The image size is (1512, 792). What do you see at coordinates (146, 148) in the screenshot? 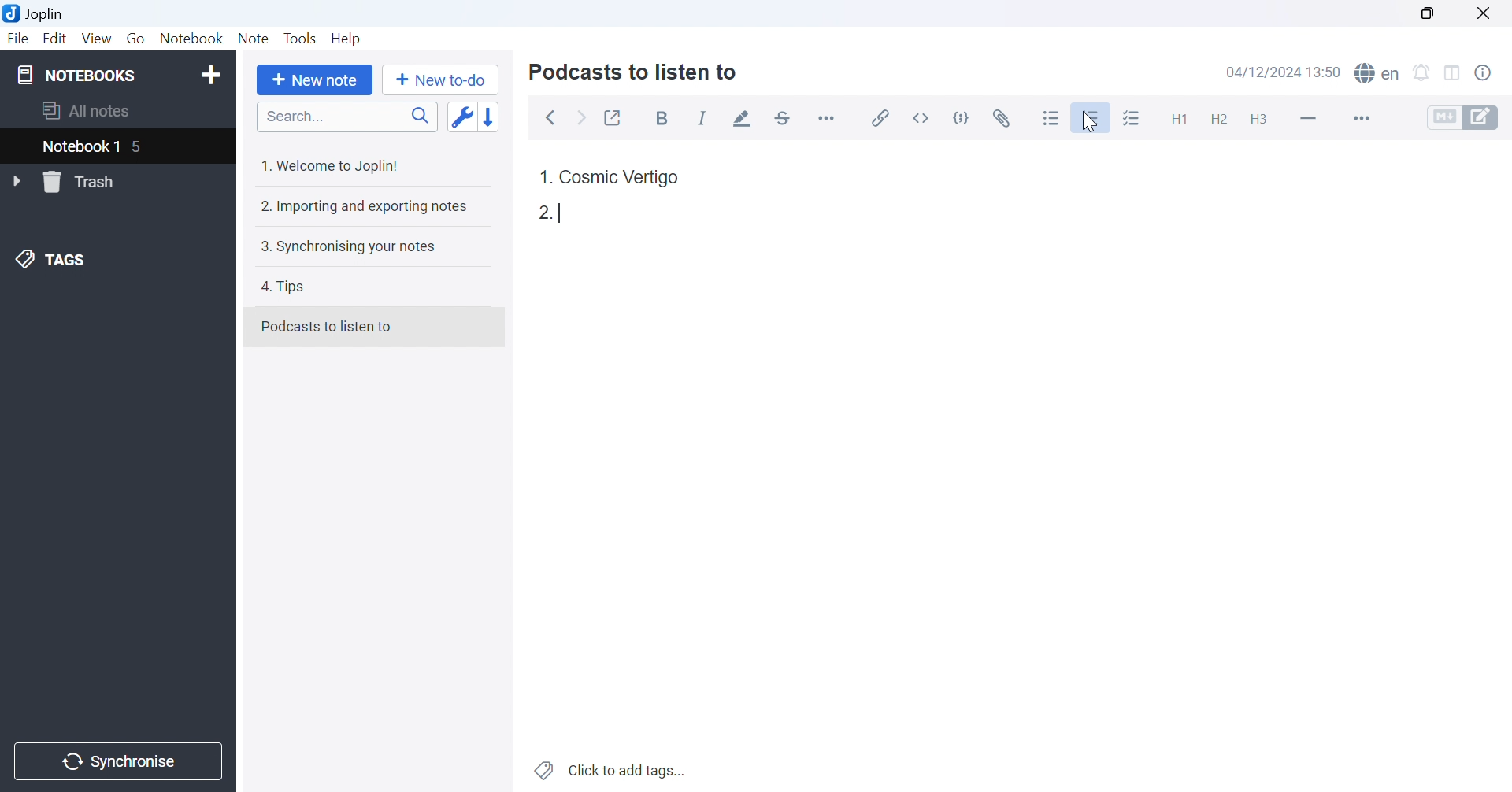
I see `5` at bounding box center [146, 148].